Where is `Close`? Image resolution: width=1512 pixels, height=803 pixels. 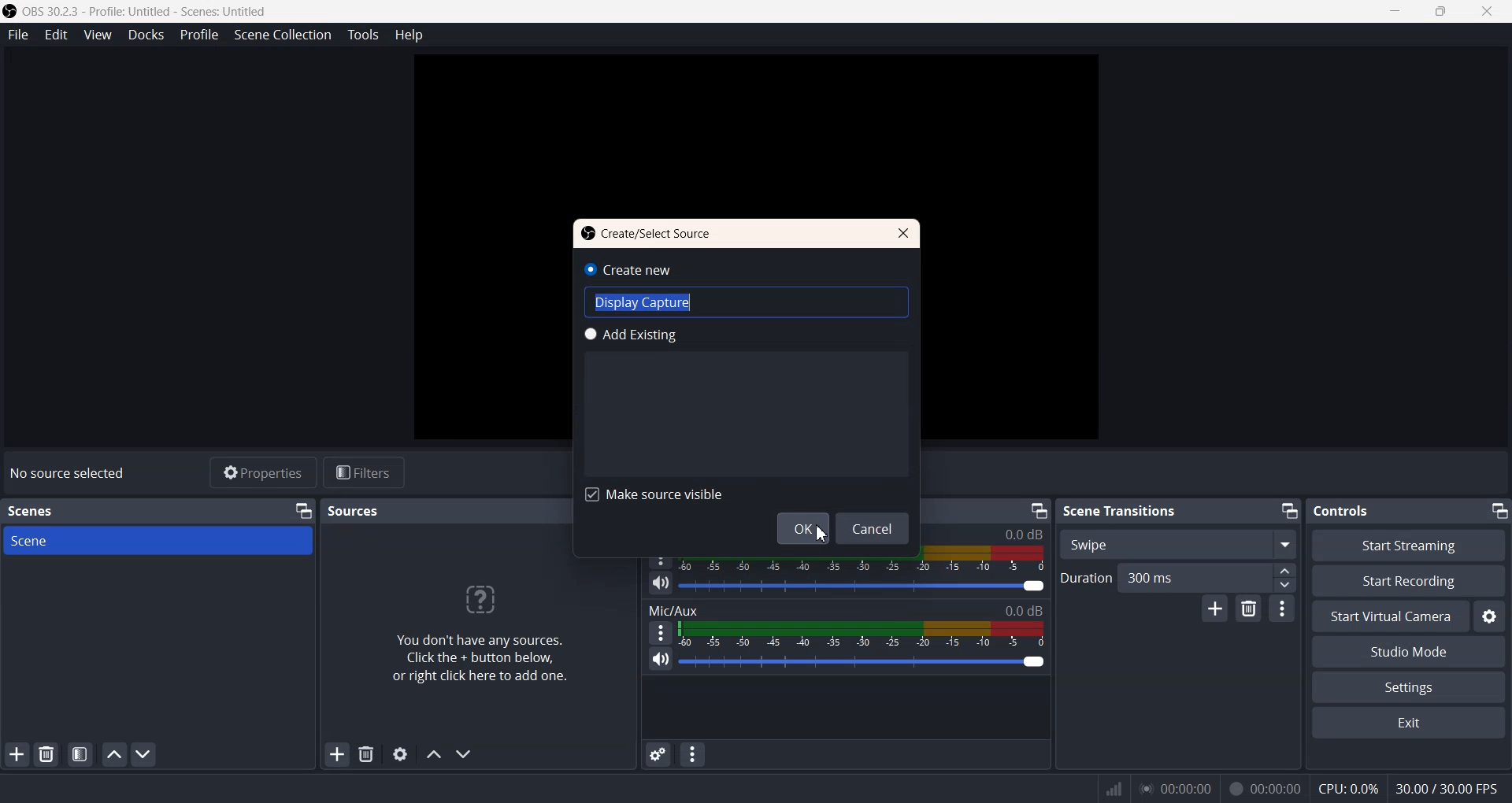
Close is located at coordinates (899, 232).